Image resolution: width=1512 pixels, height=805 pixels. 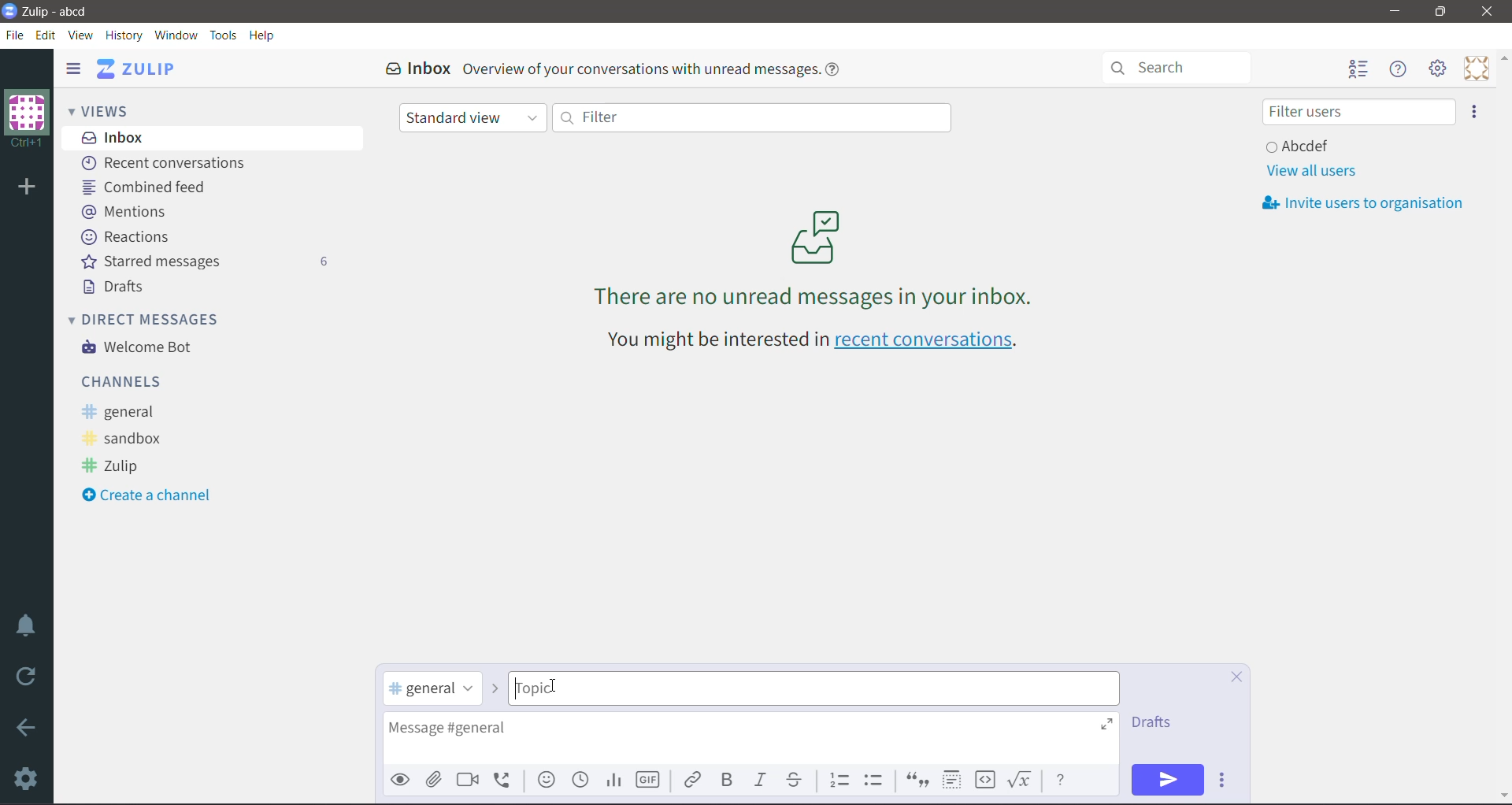 What do you see at coordinates (547, 780) in the screenshot?
I see `Add emoji` at bounding box center [547, 780].